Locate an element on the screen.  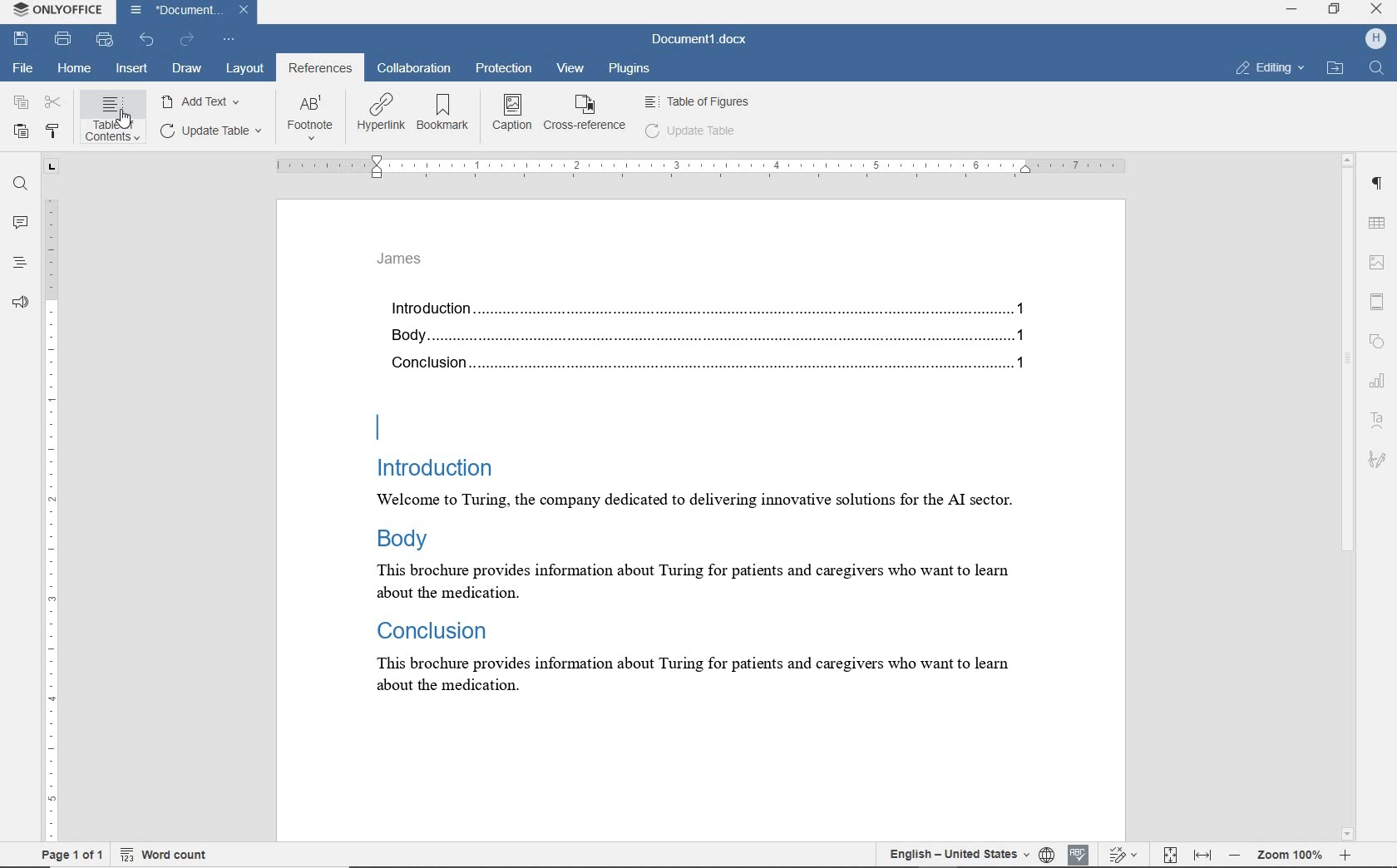
table of contents added is located at coordinates (736, 343).